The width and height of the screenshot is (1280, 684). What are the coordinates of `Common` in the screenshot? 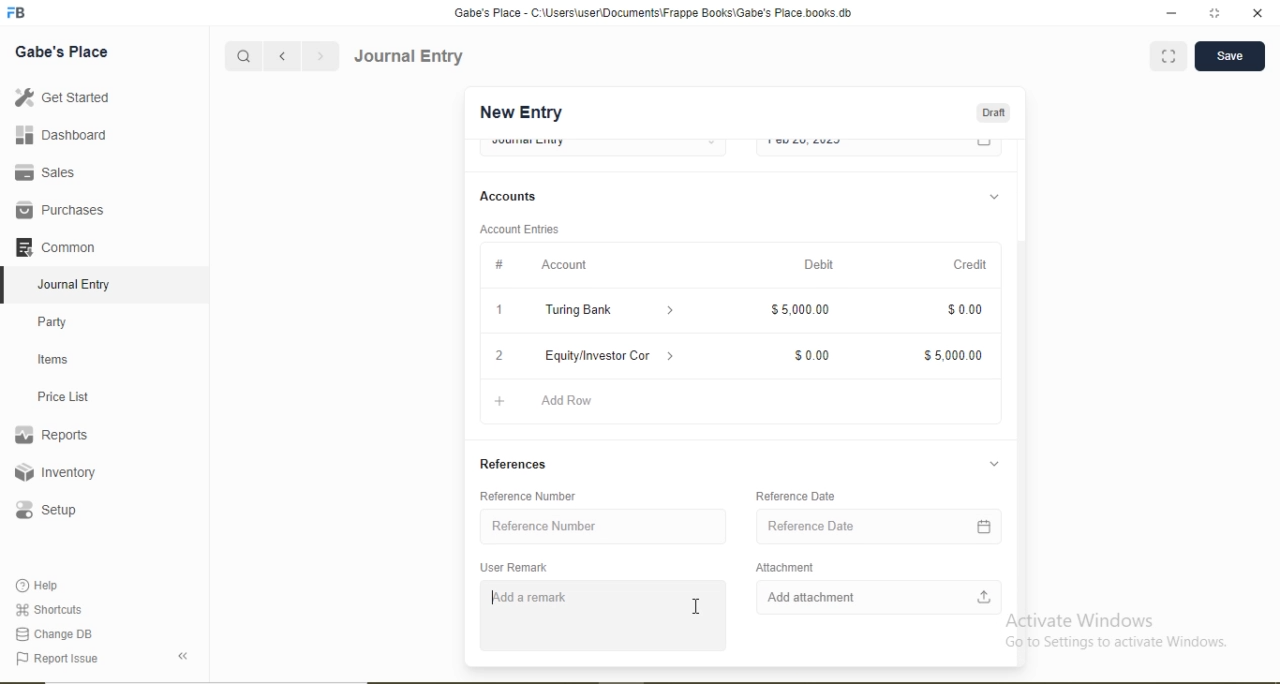 It's located at (54, 246).